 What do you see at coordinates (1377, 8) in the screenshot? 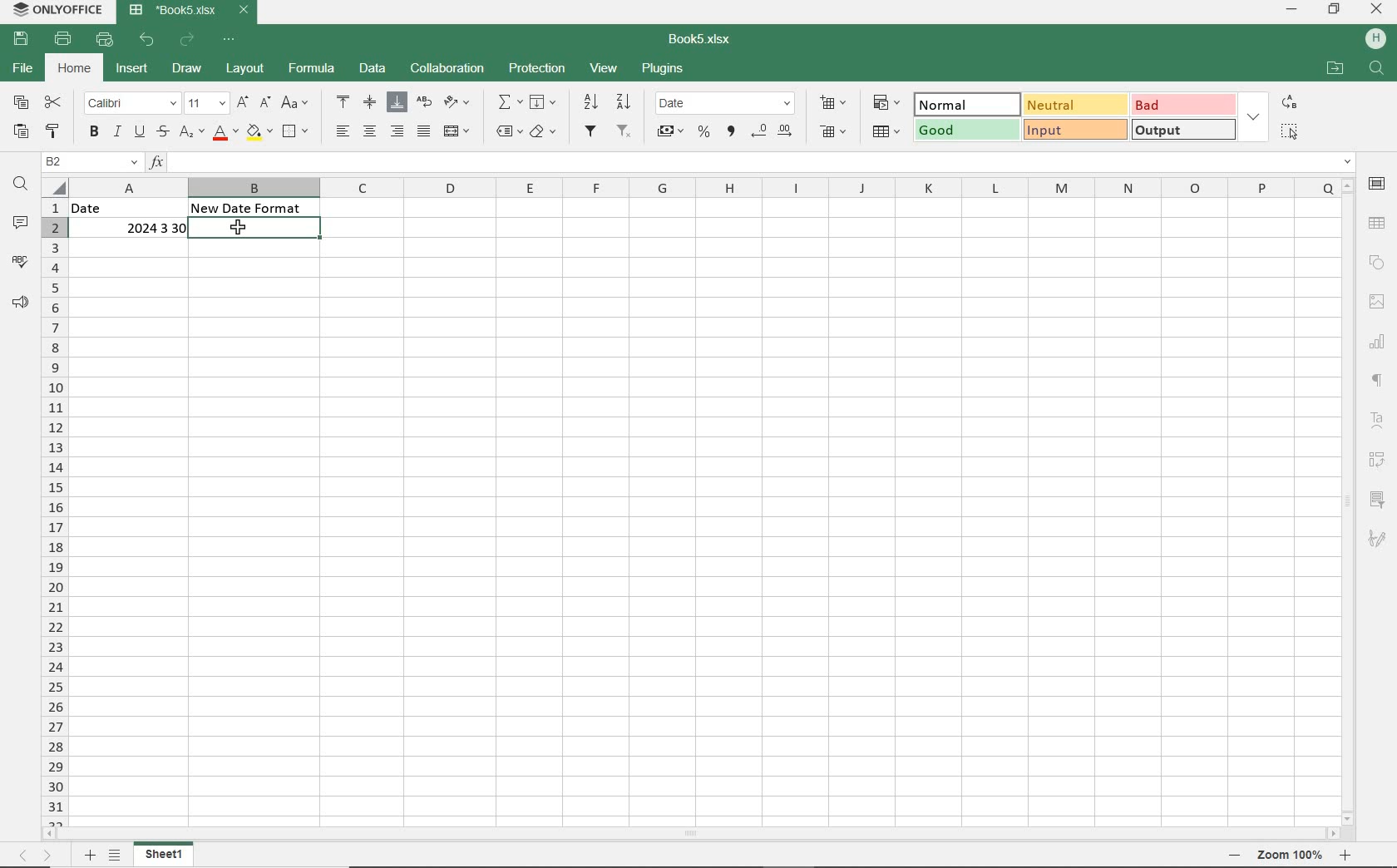
I see `CLOSE` at bounding box center [1377, 8].